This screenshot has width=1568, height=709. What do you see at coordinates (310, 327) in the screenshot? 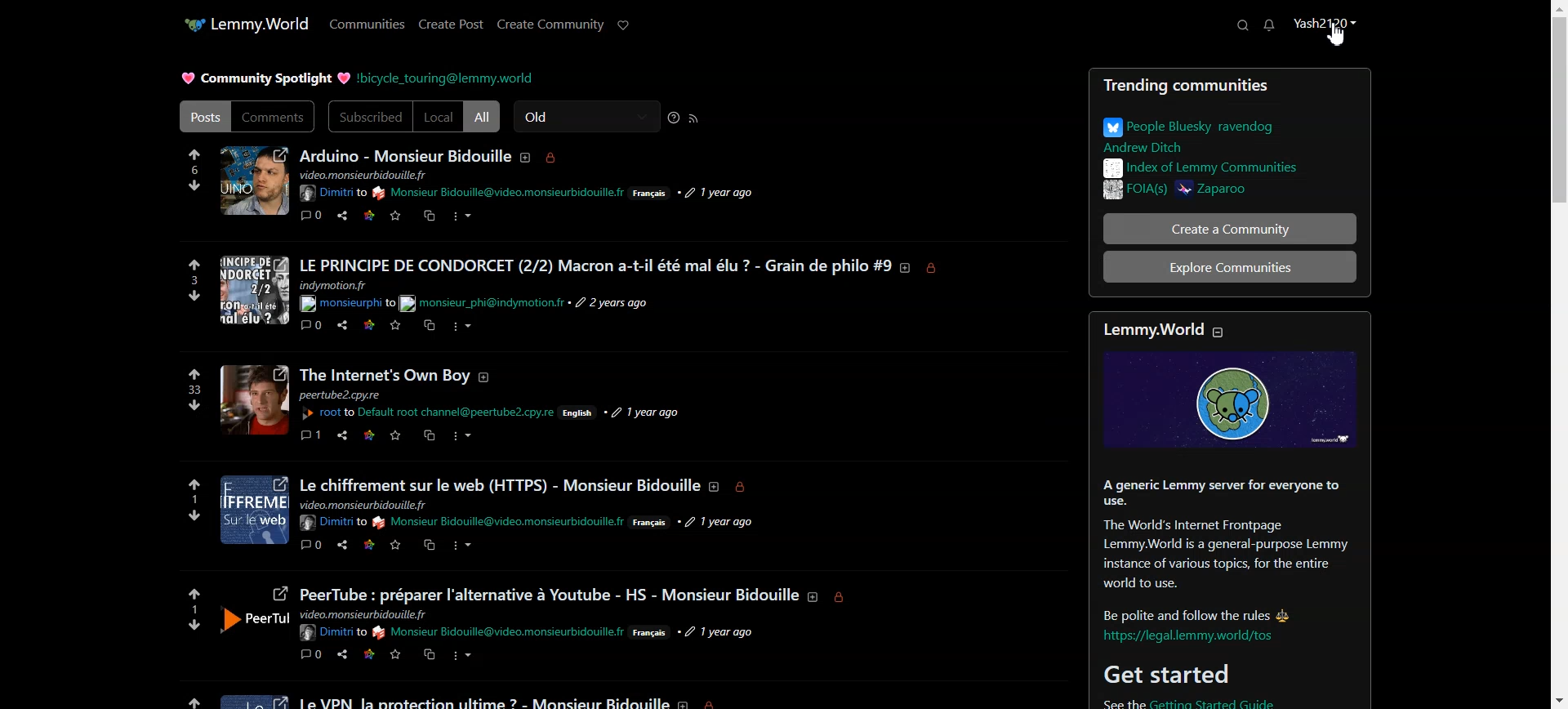
I see `comment` at bounding box center [310, 327].